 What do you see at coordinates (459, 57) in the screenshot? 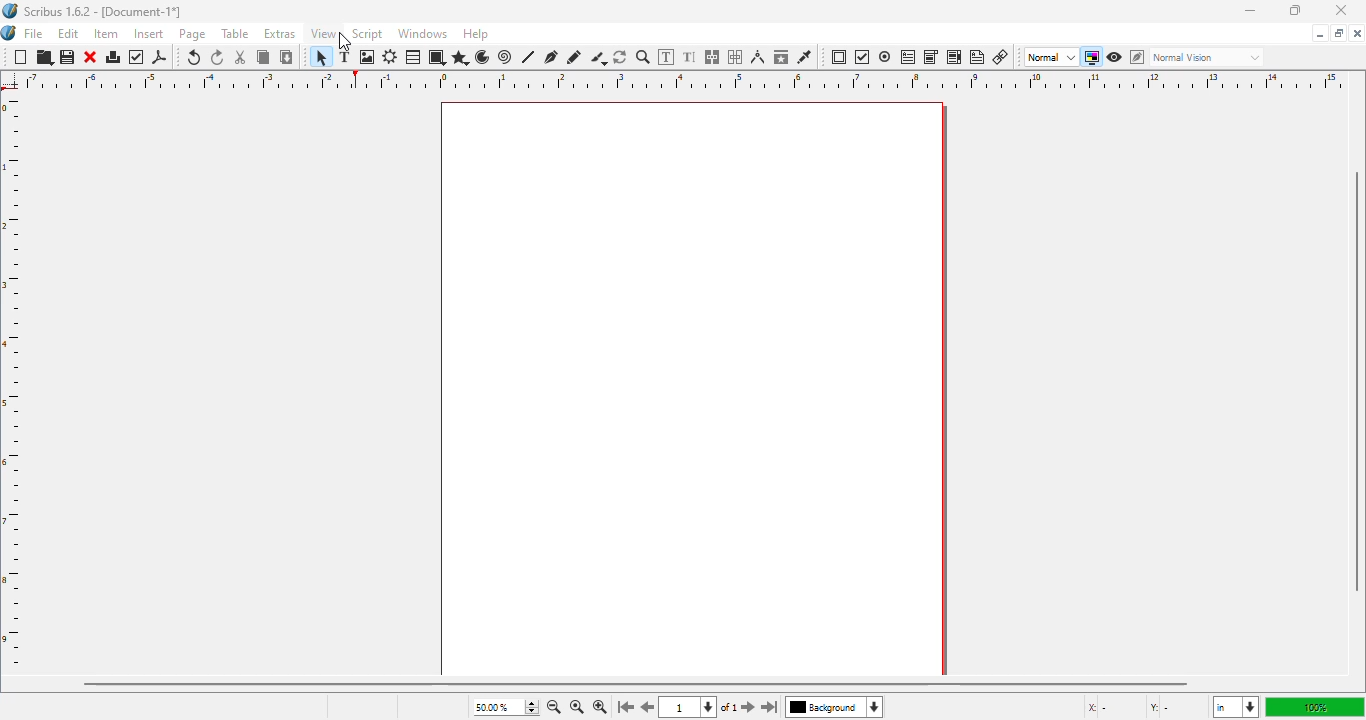
I see `polygon` at bounding box center [459, 57].